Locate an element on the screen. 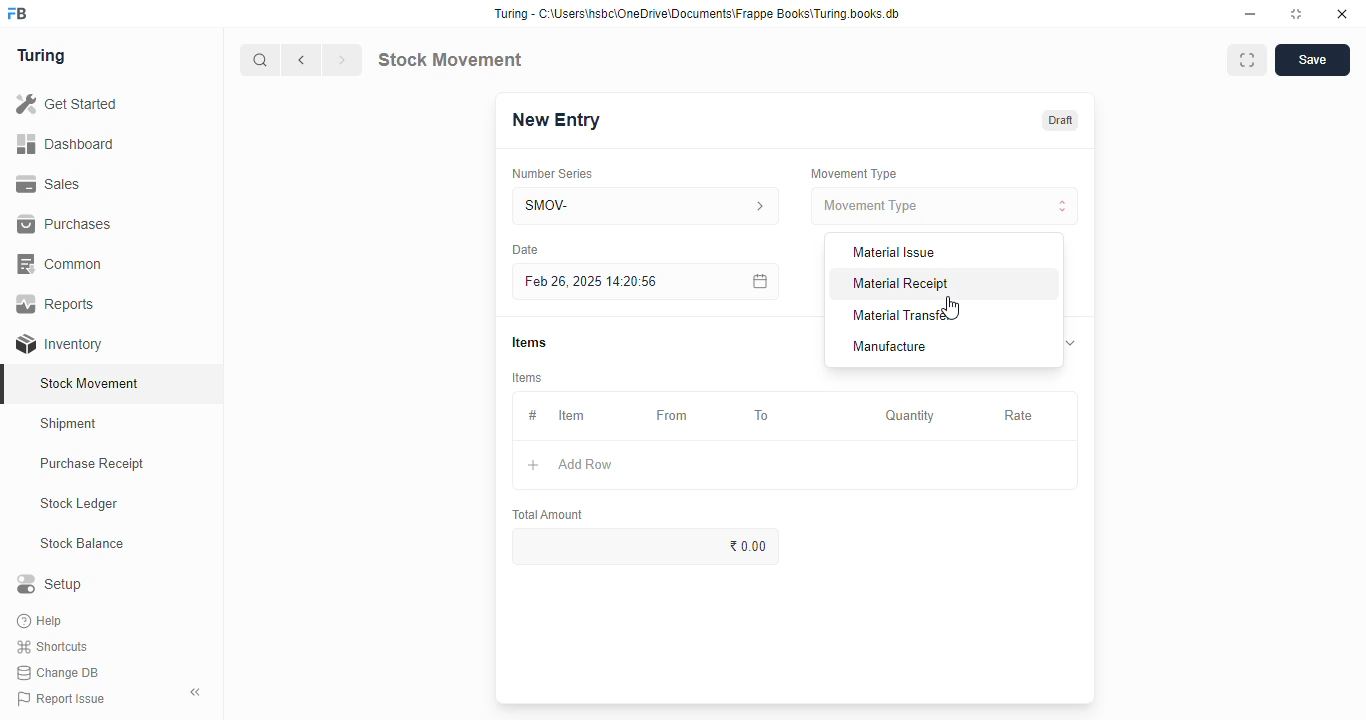 The image size is (1366, 720). report issue is located at coordinates (61, 698).